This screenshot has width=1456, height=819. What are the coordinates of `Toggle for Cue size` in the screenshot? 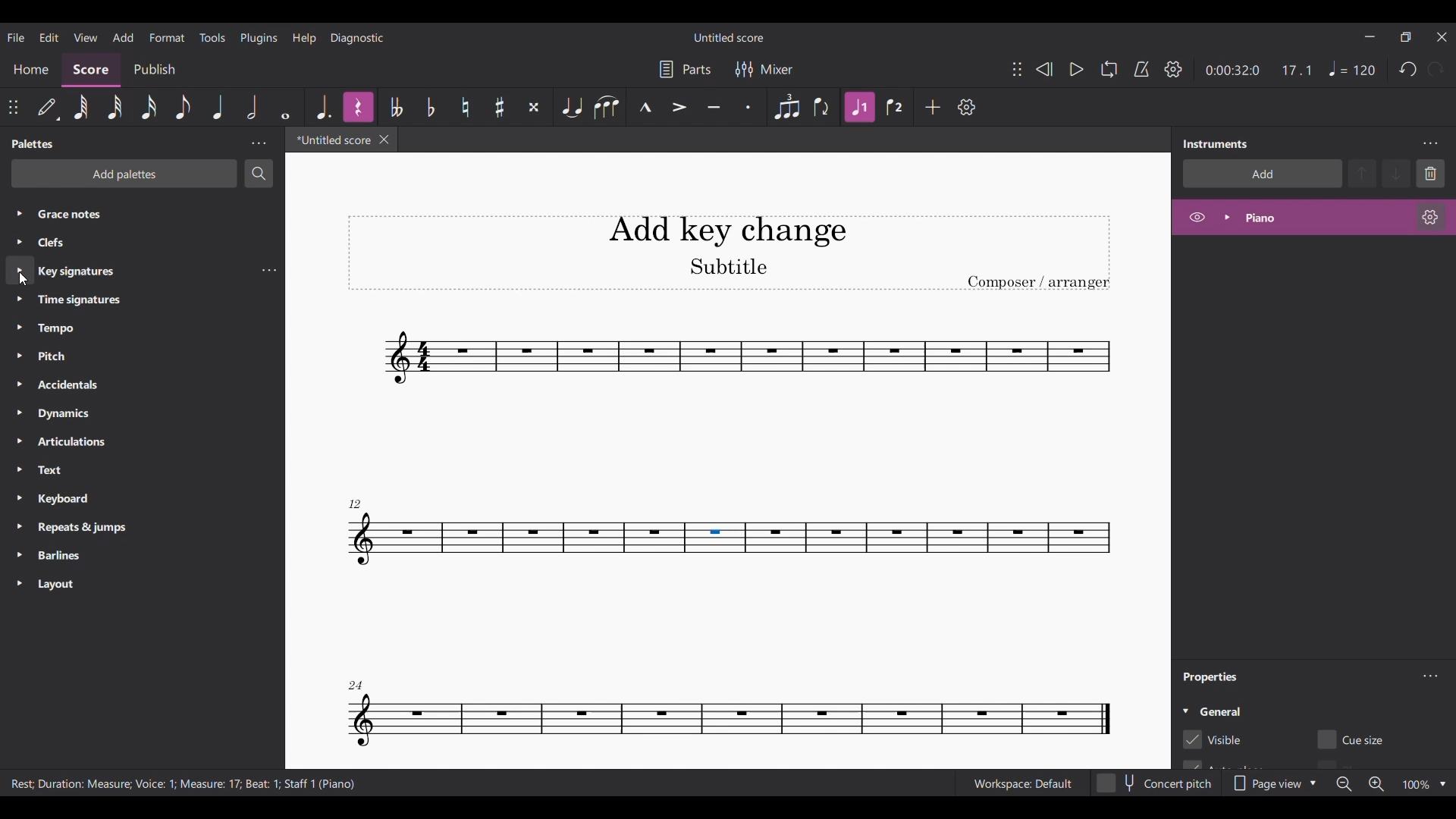 It's located at (1354, 739).